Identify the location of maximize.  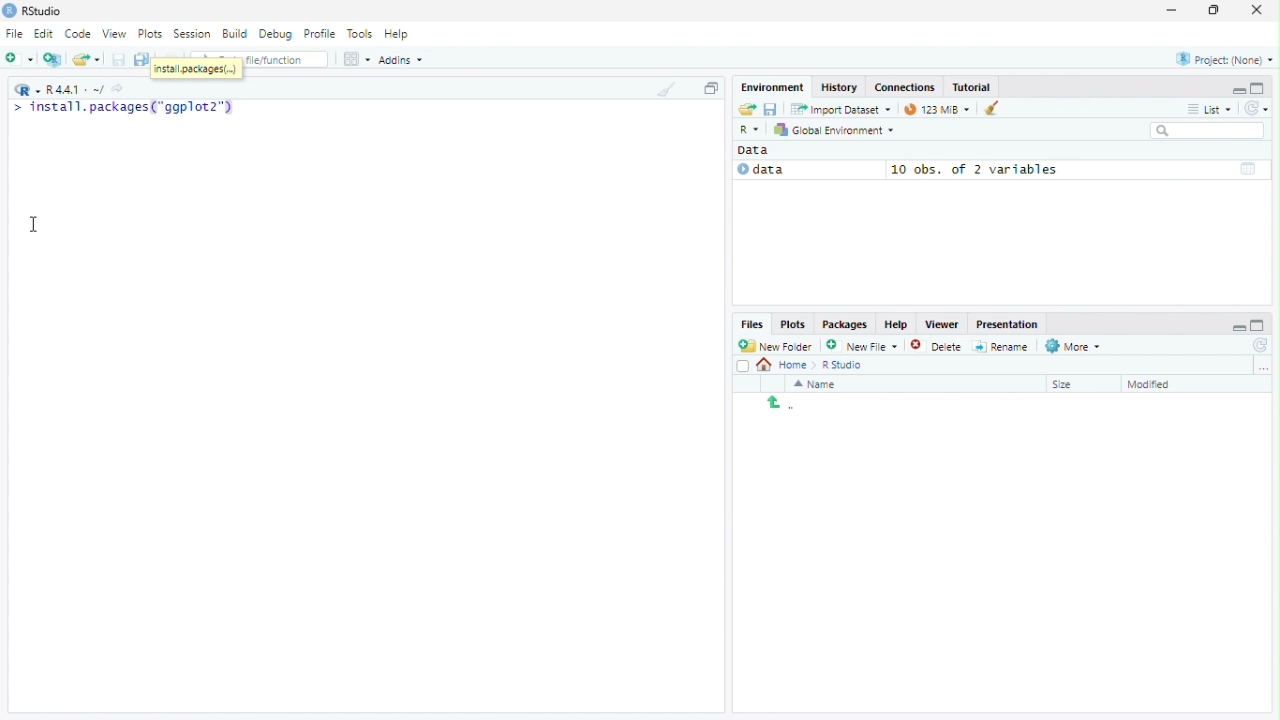
(1261, 324).